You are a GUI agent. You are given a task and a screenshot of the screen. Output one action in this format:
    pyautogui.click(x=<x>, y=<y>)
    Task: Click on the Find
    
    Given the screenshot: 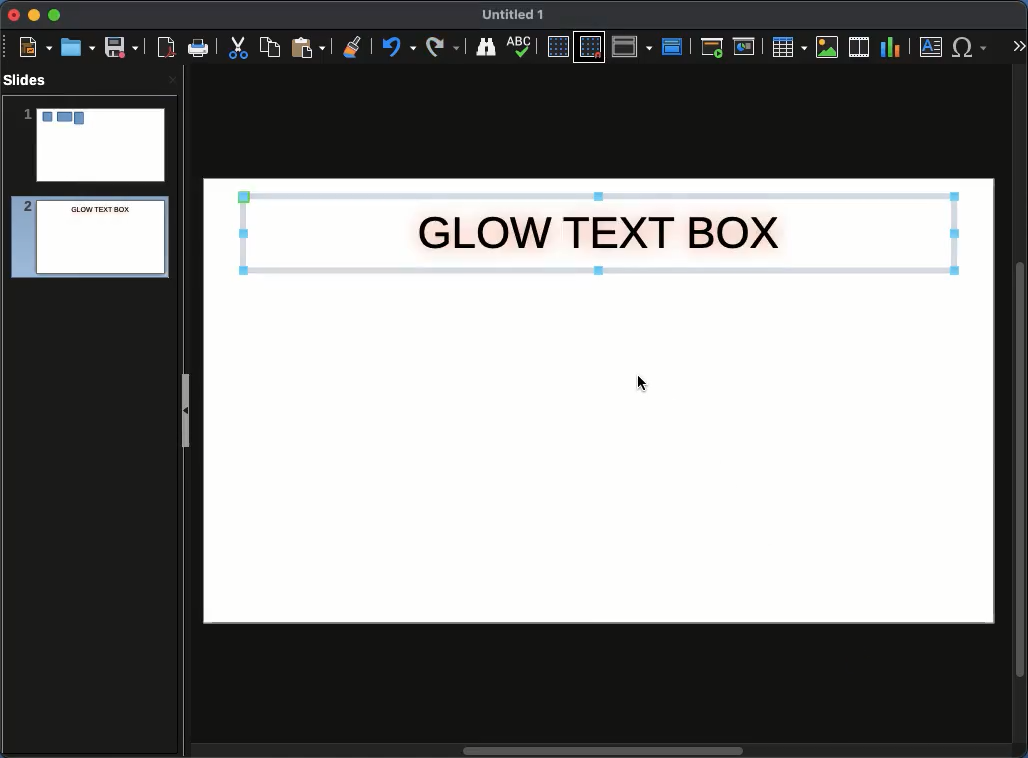 What is the action you would take?
    pyautogui.click(x=485, y=46)
    